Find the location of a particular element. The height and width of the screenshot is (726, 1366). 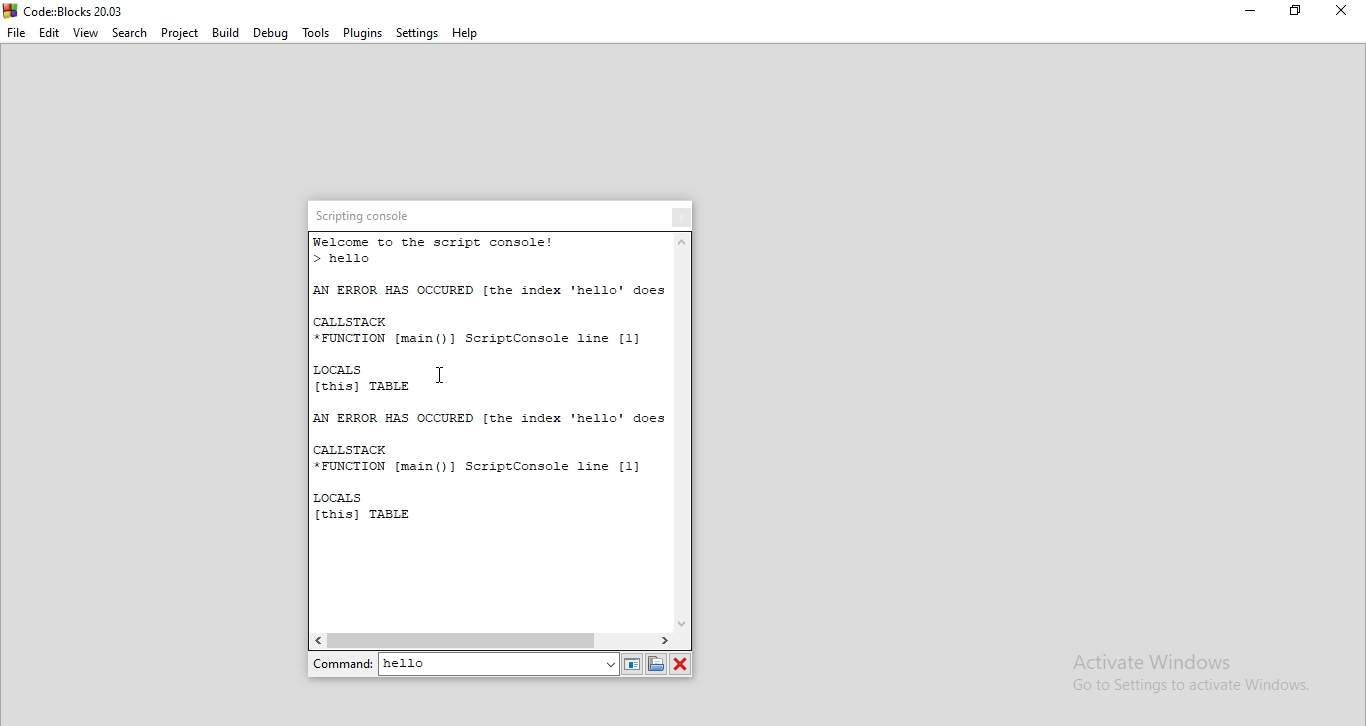

close is located at coordinates (681, 217).